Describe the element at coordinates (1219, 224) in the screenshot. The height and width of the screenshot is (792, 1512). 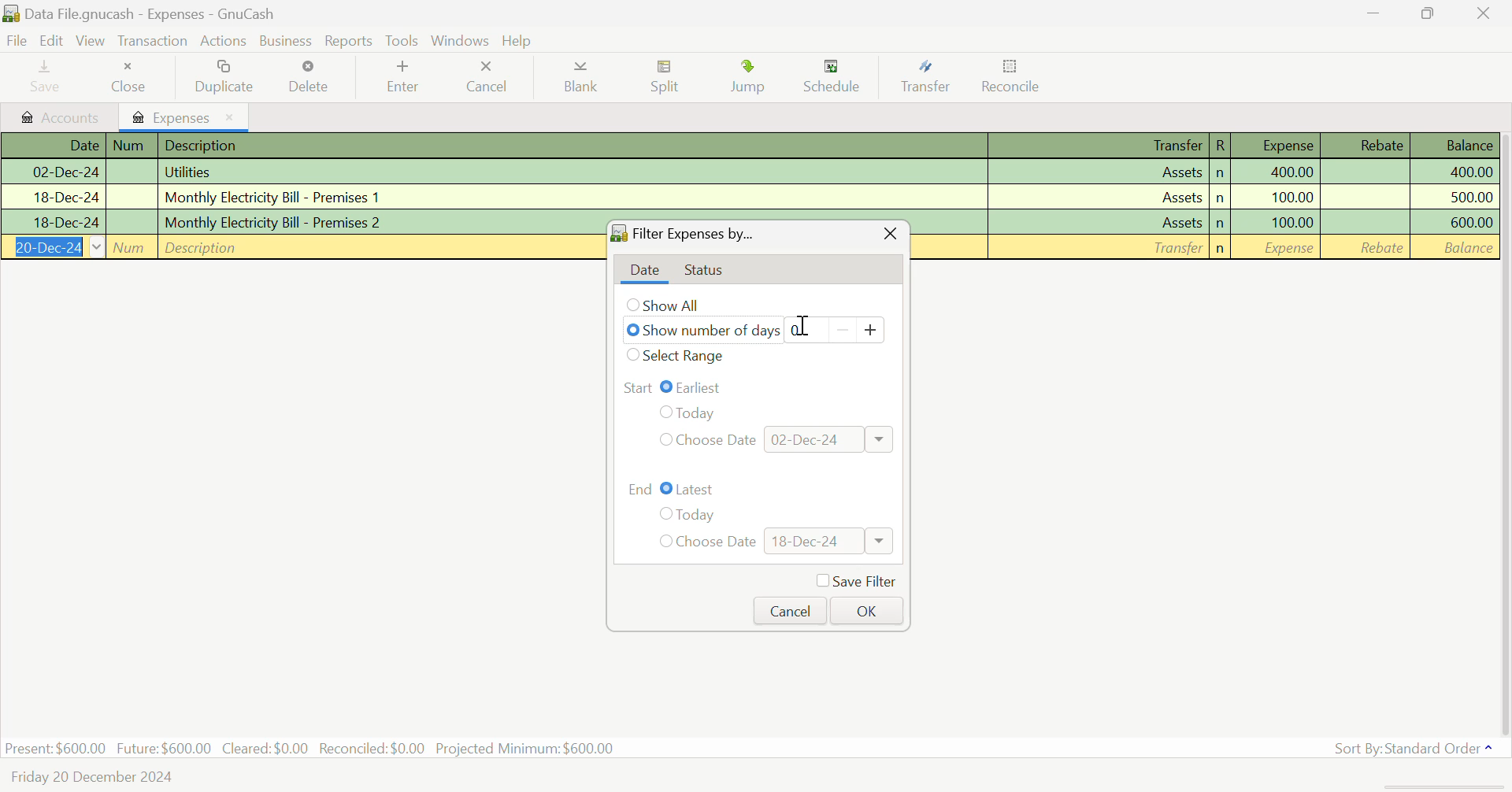
I see `n` at that location.